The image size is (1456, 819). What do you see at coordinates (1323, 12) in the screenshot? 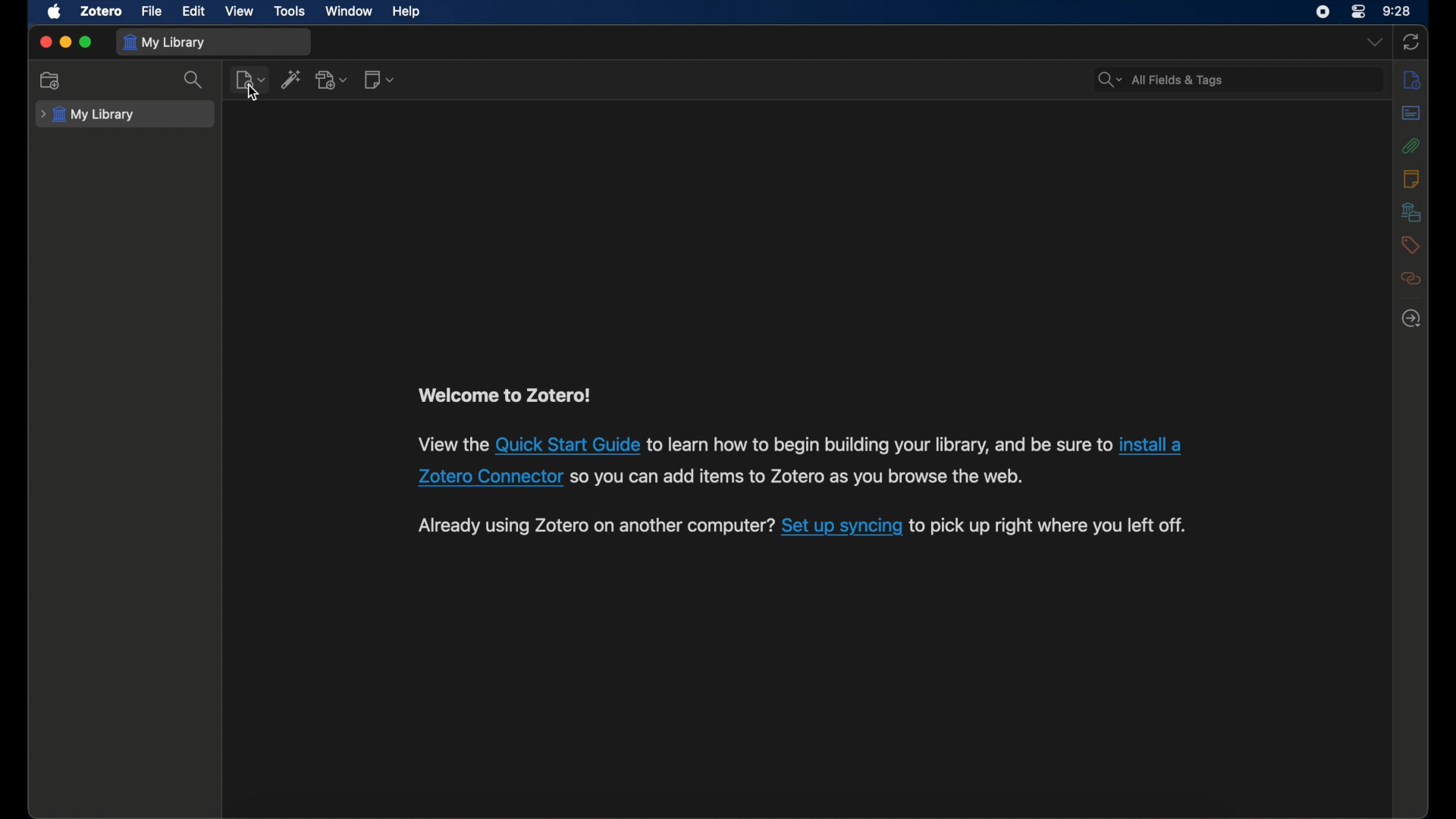
I see `screen recorder icon` at bounding box center [1323, 12].